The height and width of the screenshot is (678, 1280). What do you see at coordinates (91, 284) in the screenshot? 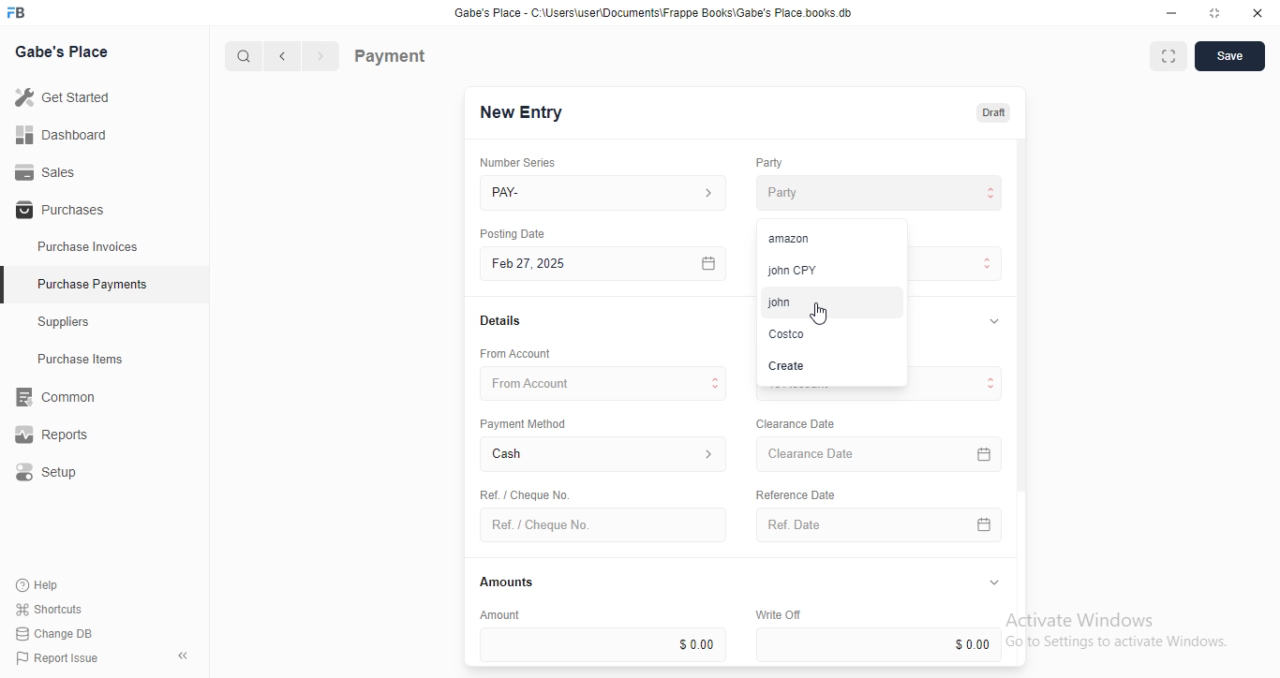
I see `Purchase Payments` at bounding box center [91, 284].